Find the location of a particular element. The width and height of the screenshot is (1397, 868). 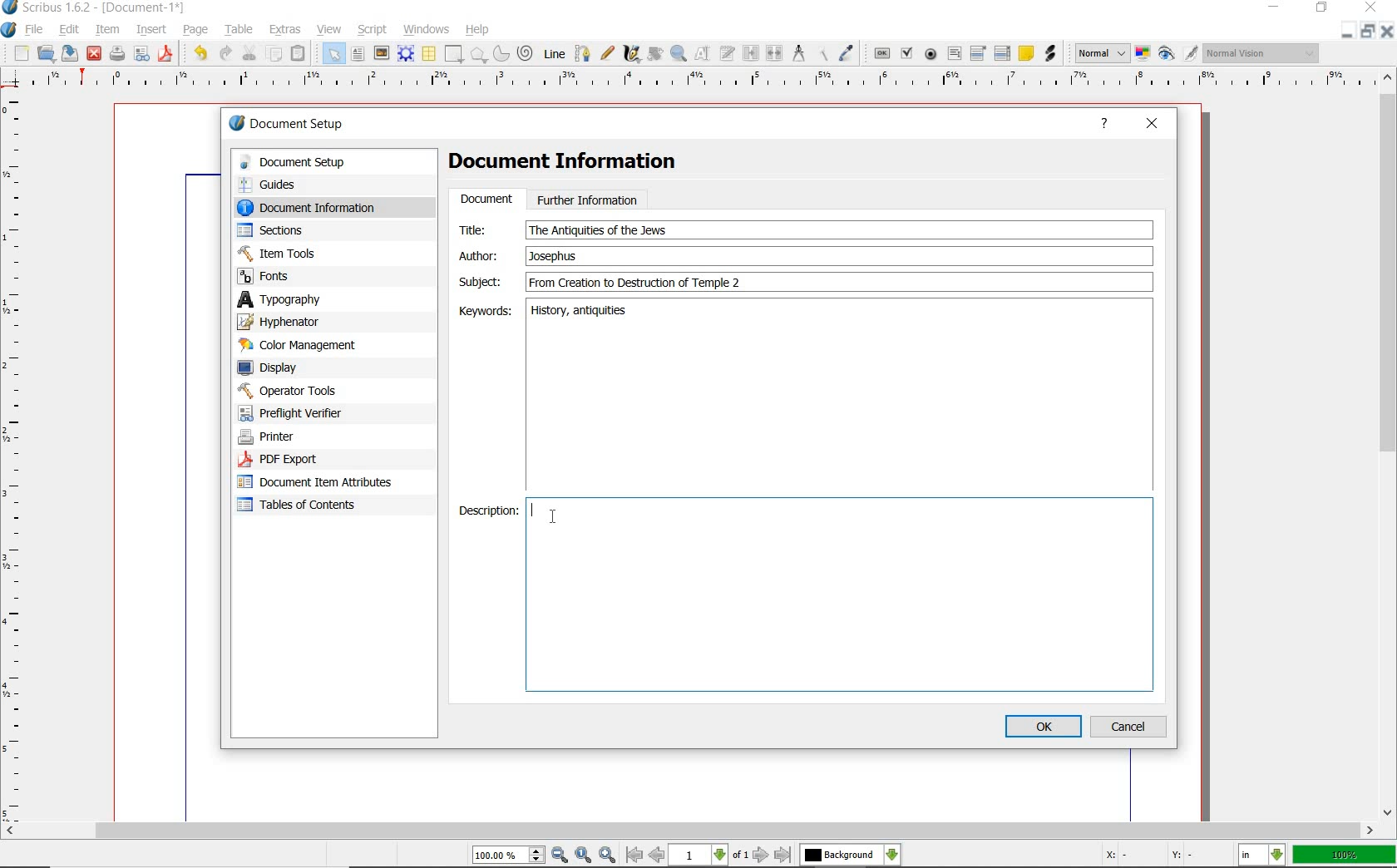

subject is located at coordinates (479, 281).